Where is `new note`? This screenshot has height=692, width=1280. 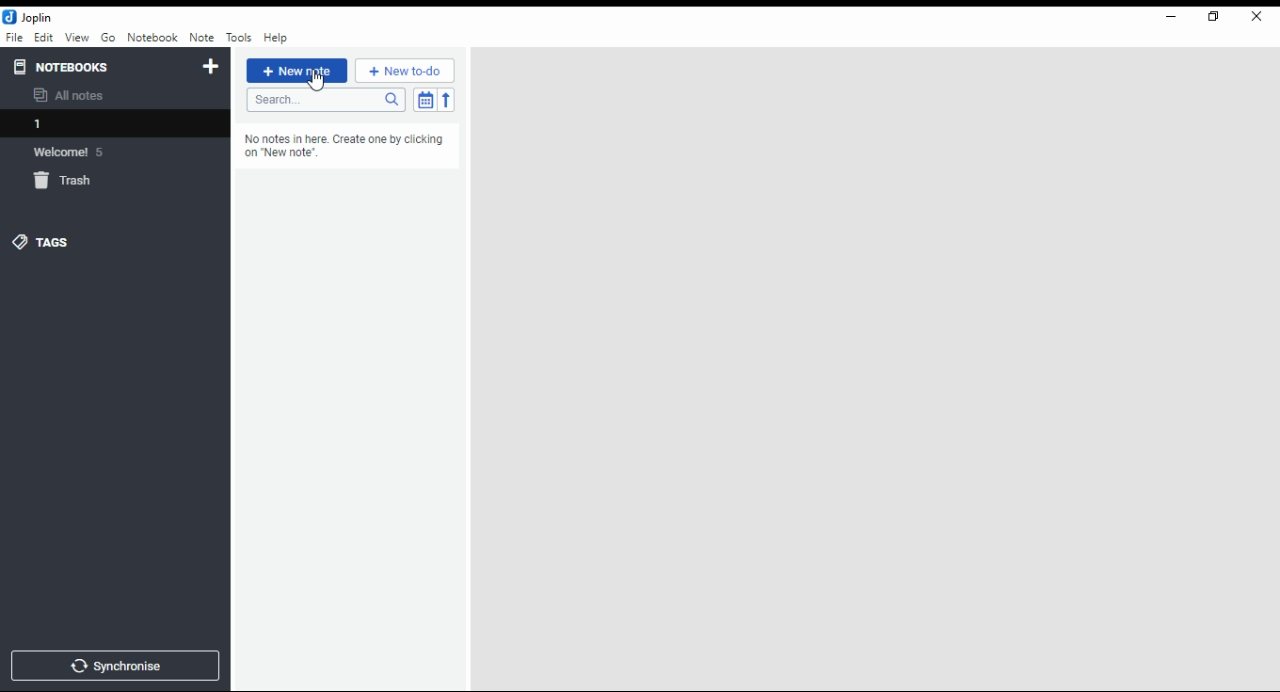 new note is located at coordinates (296, 71).